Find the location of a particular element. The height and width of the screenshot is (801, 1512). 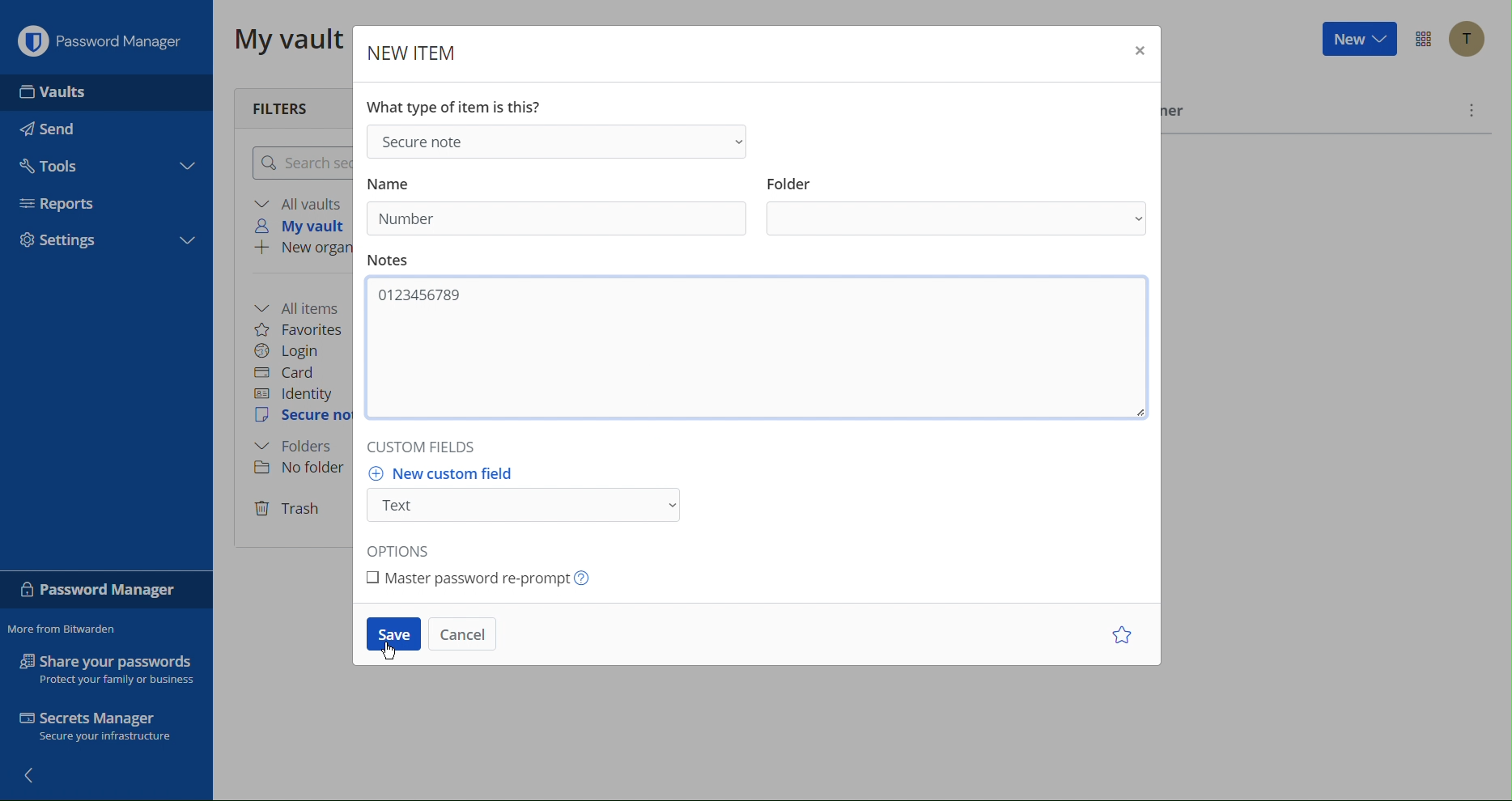

Master password re-prompt is located at coordinates (483, 578).